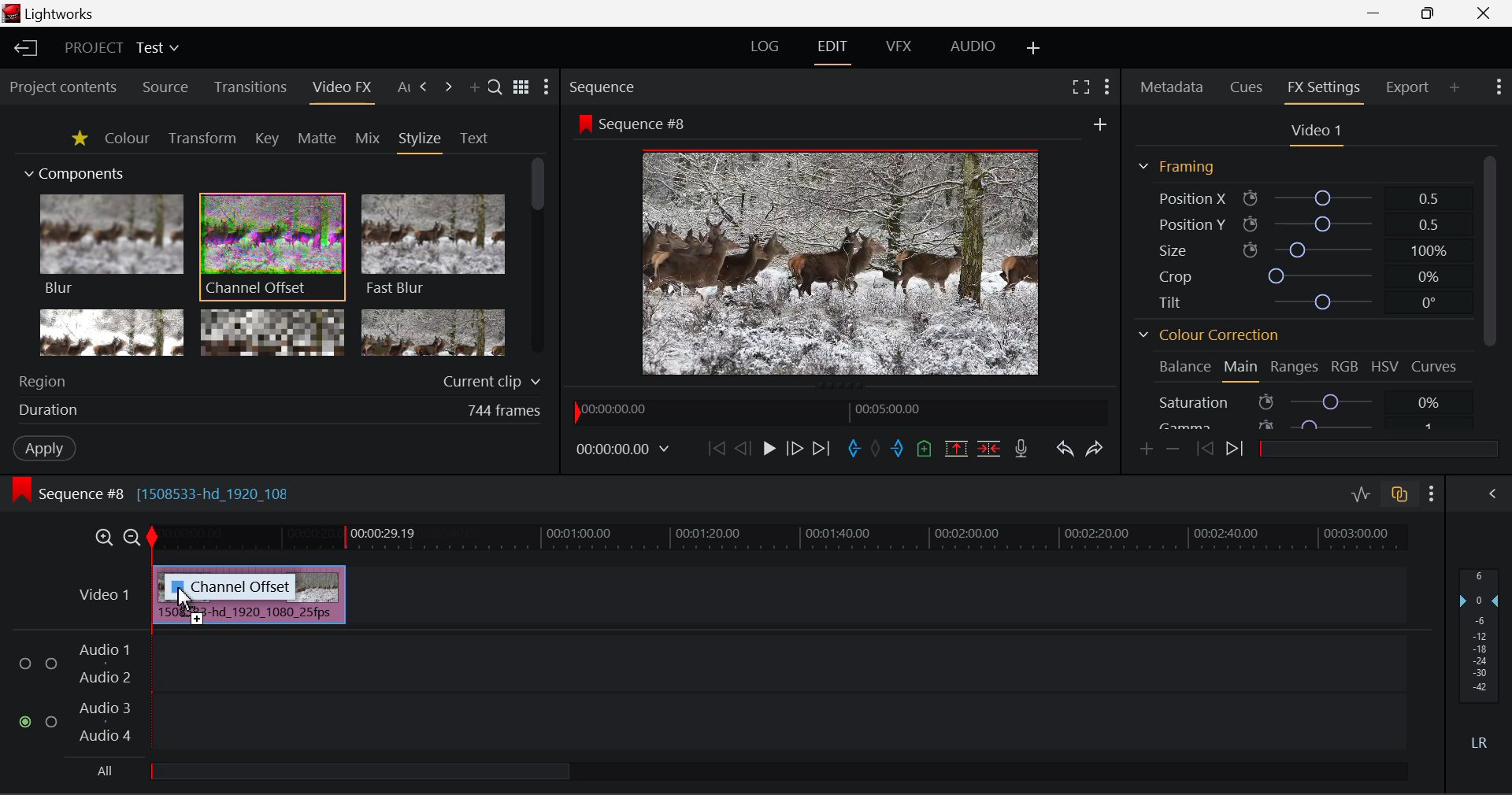 This screenshot has height=795, width=1512. I want to click on Size, so click(1300, 249).